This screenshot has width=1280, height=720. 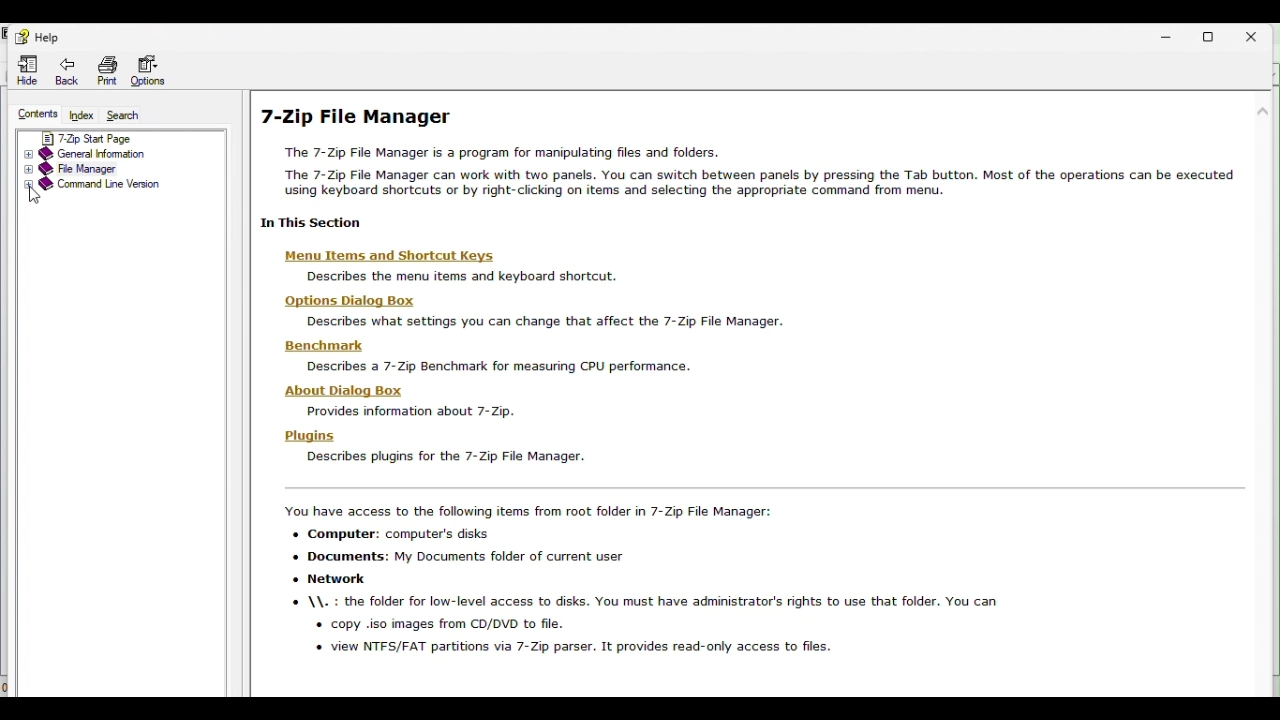 I want to click on plugins, so click(x=437, y=449).